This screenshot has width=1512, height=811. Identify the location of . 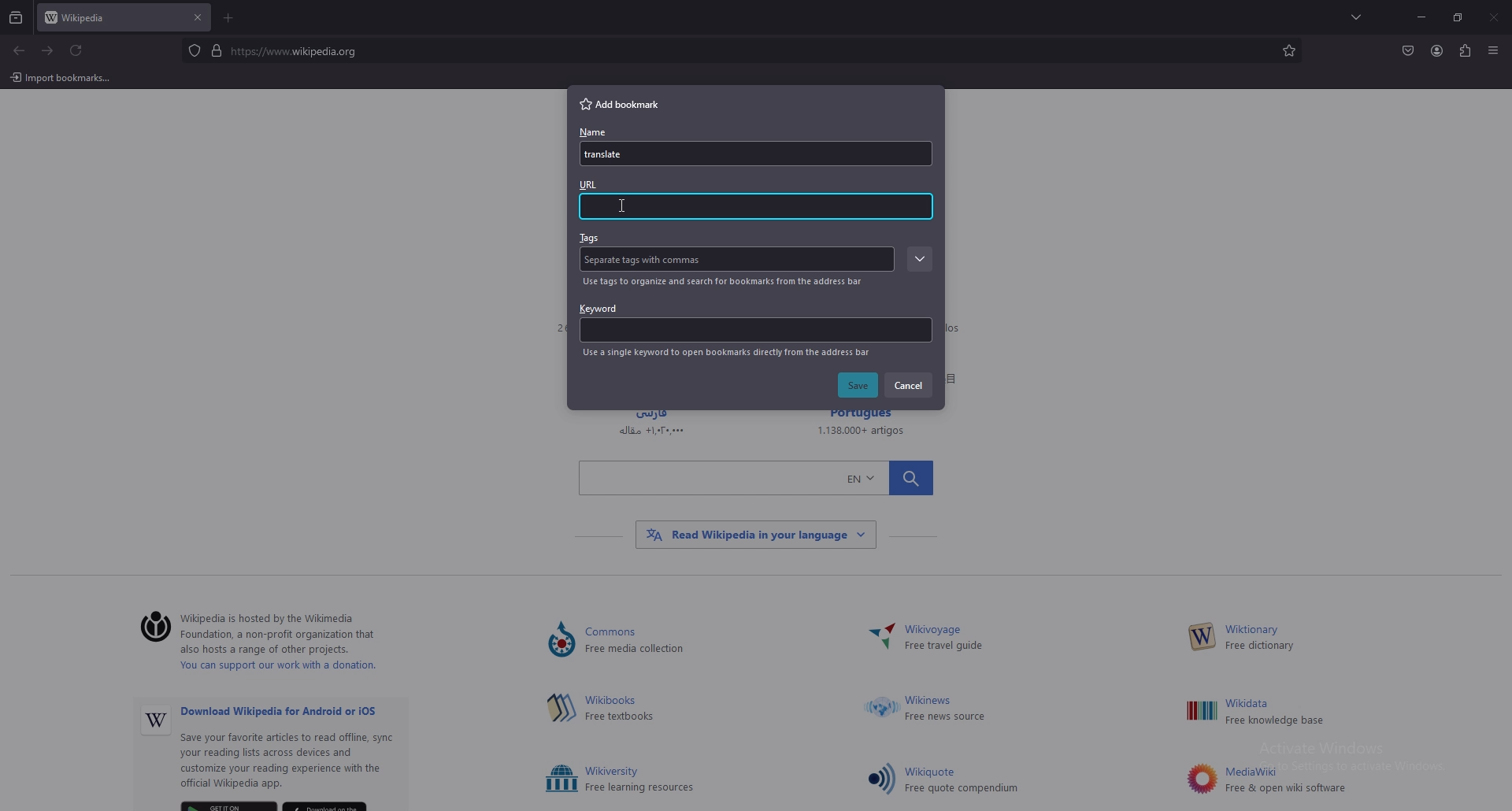
(561, 780).